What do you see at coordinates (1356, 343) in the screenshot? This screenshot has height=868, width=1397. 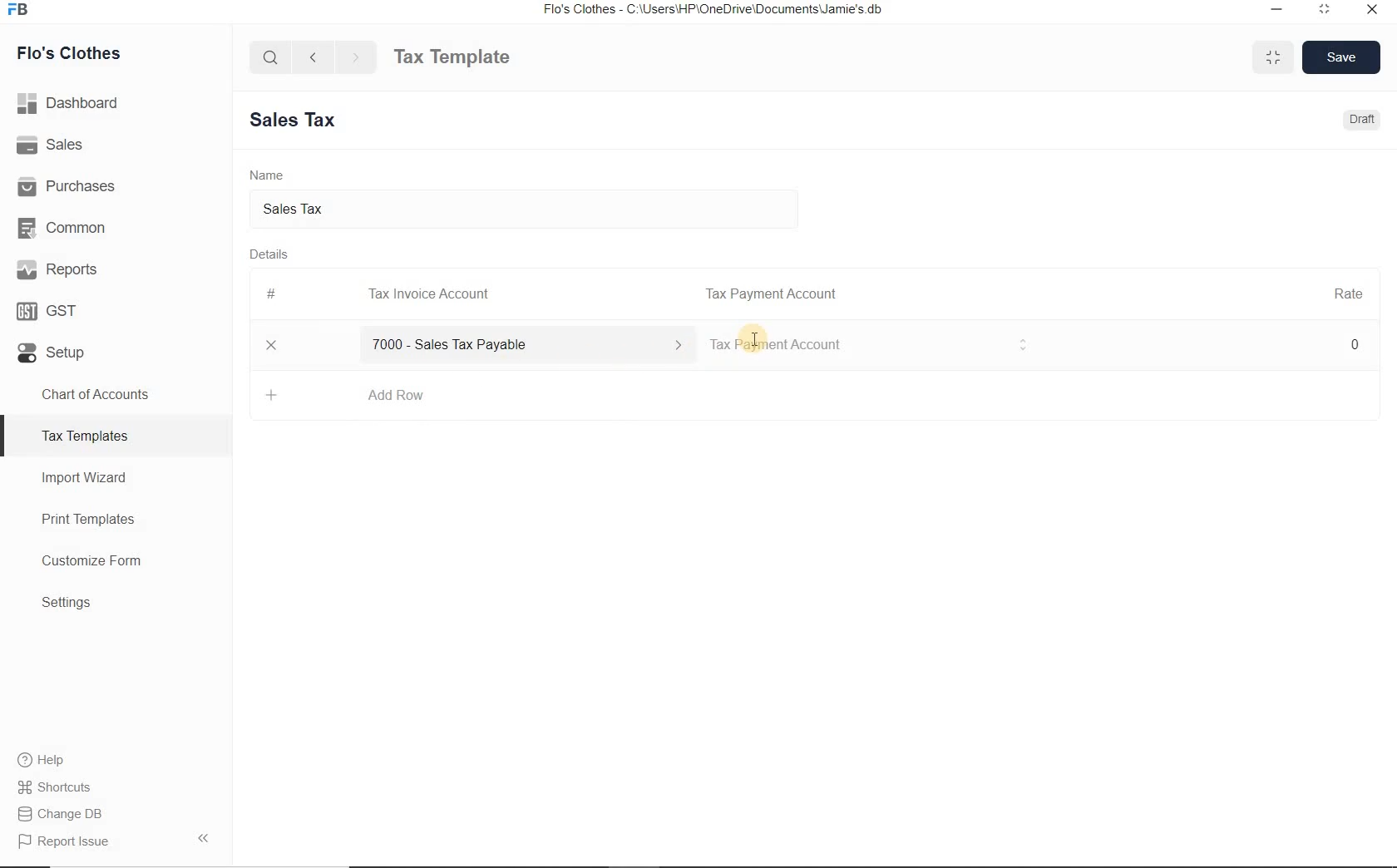 I see `0` at bounding box center [1356, 343].